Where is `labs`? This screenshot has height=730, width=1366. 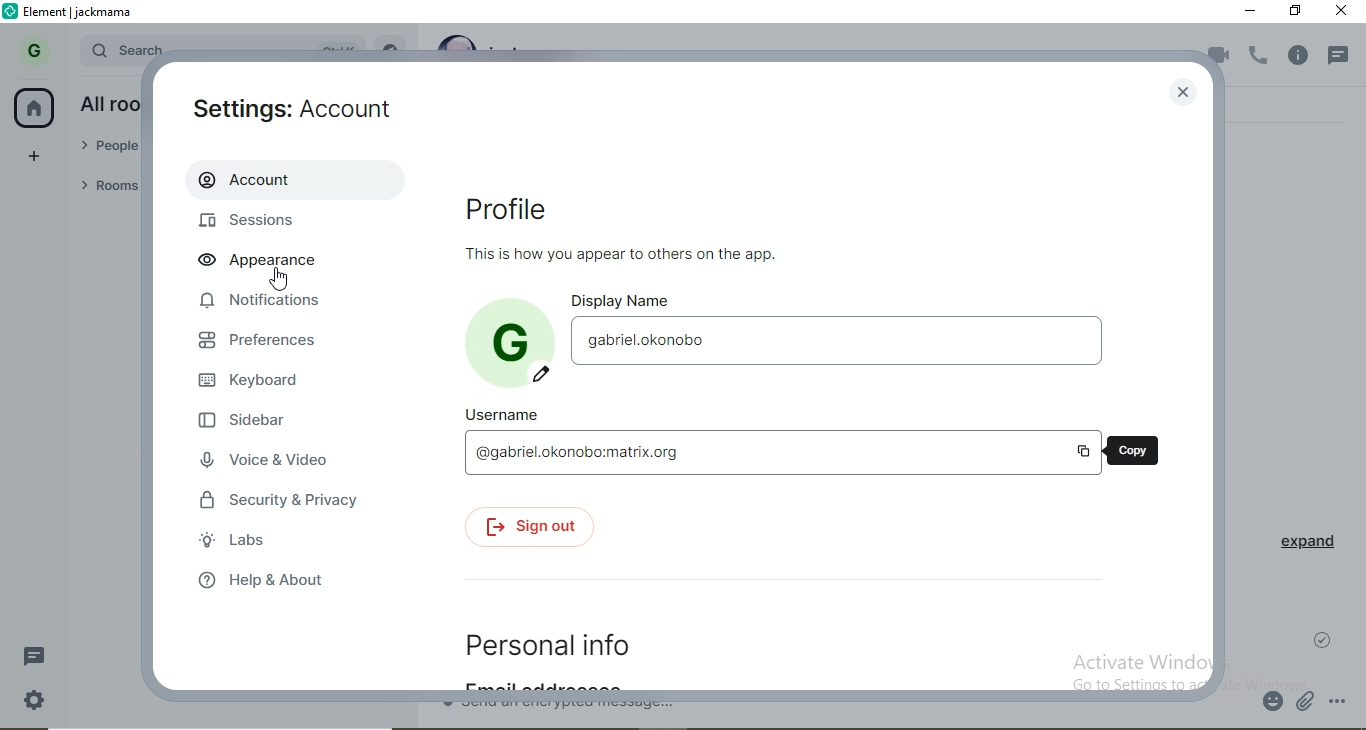
labs is located at coordinates (238, 538).